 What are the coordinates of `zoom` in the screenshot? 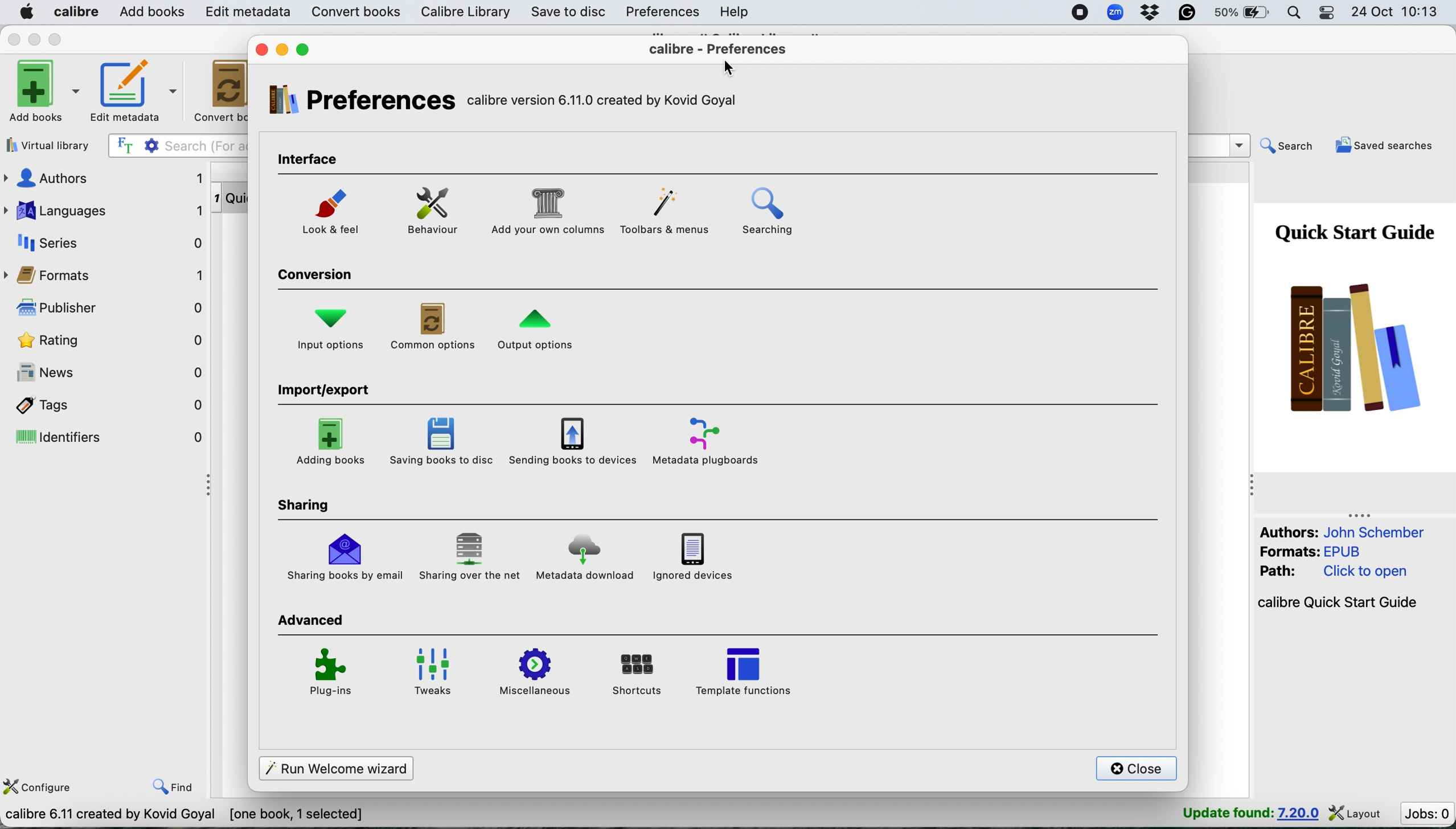 It's located at (1114, 13).